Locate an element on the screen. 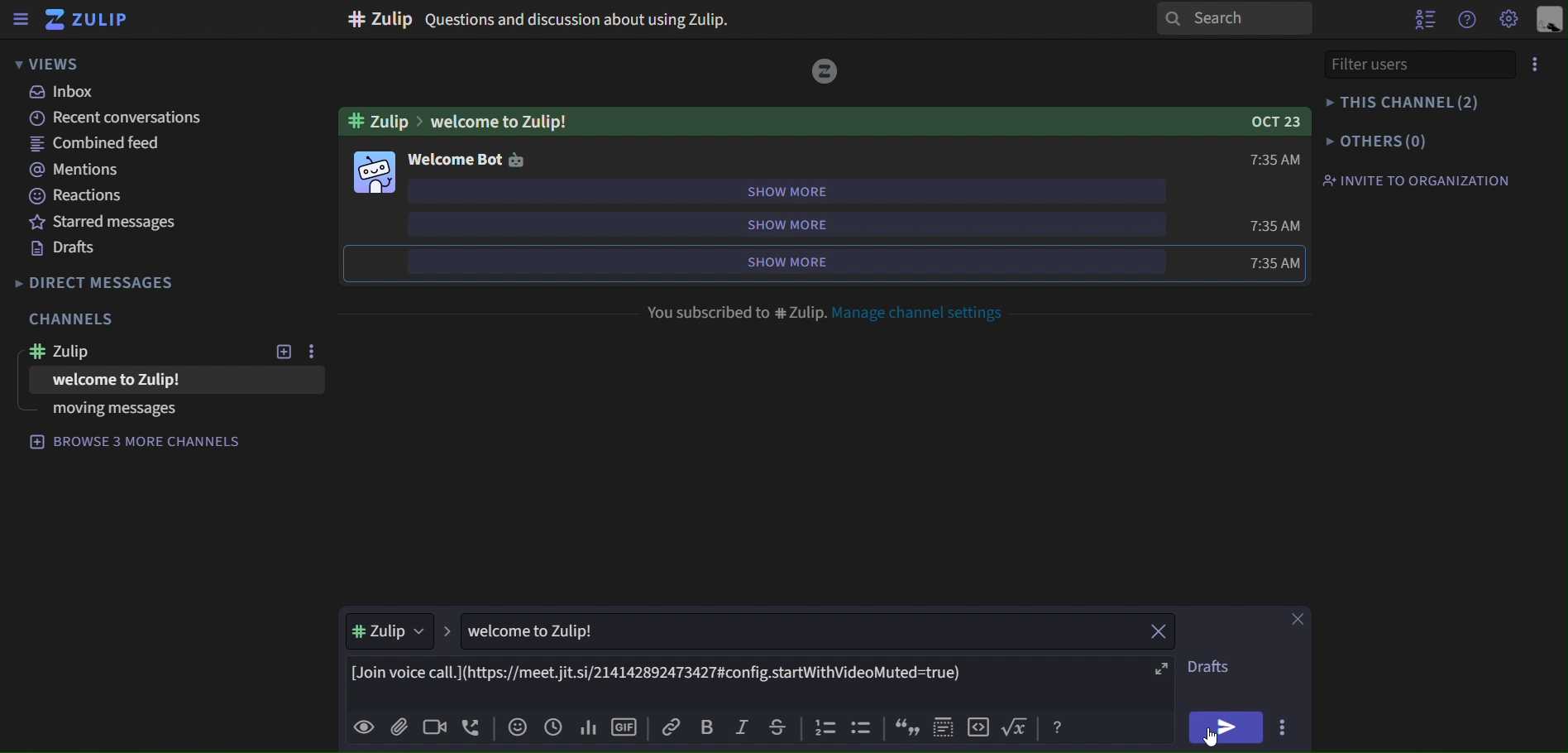  this channel is located at coordinates (1401, 101).